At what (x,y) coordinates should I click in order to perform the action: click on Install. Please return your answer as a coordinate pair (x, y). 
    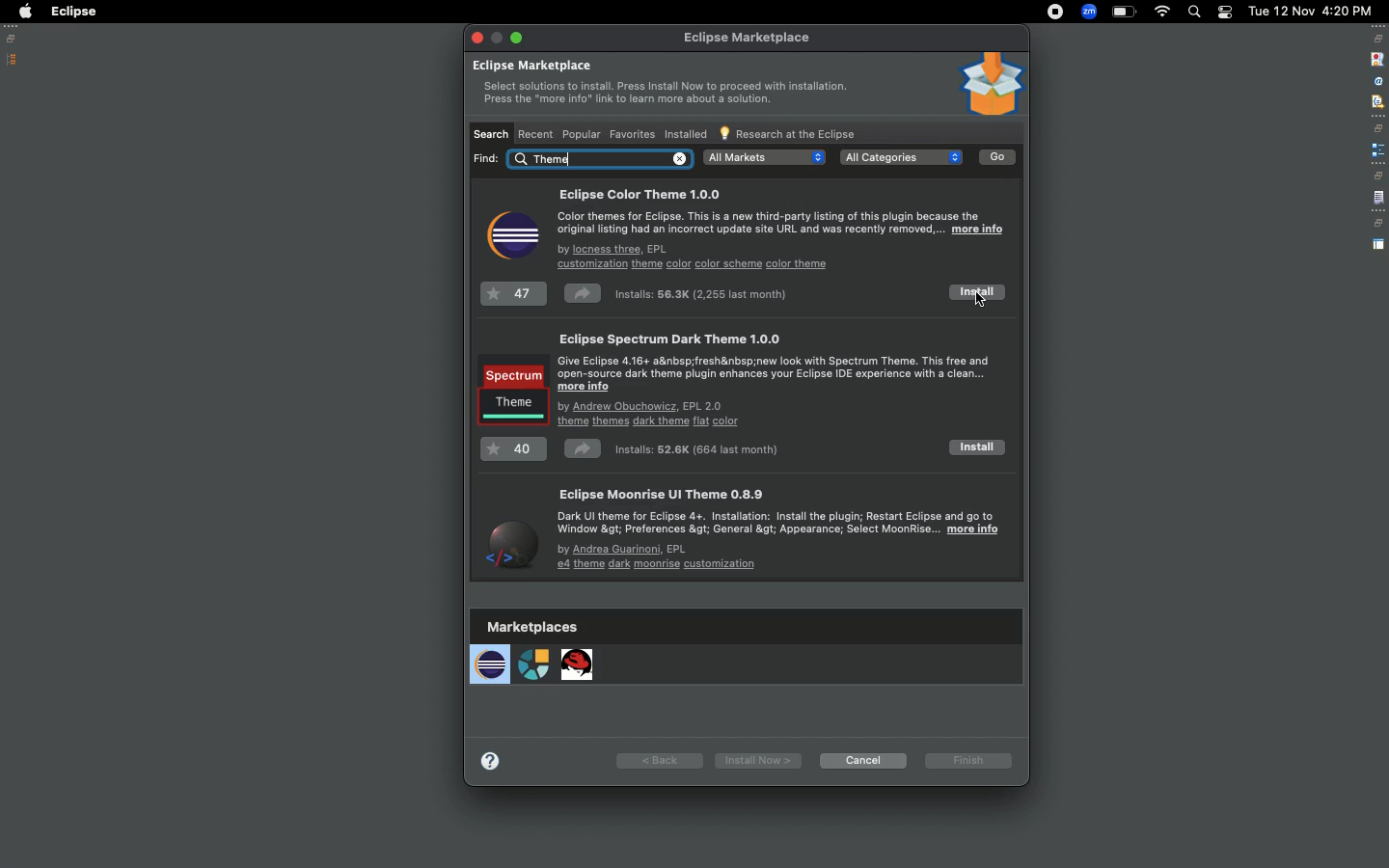
    Looking at the image, I should click on (980, 292).